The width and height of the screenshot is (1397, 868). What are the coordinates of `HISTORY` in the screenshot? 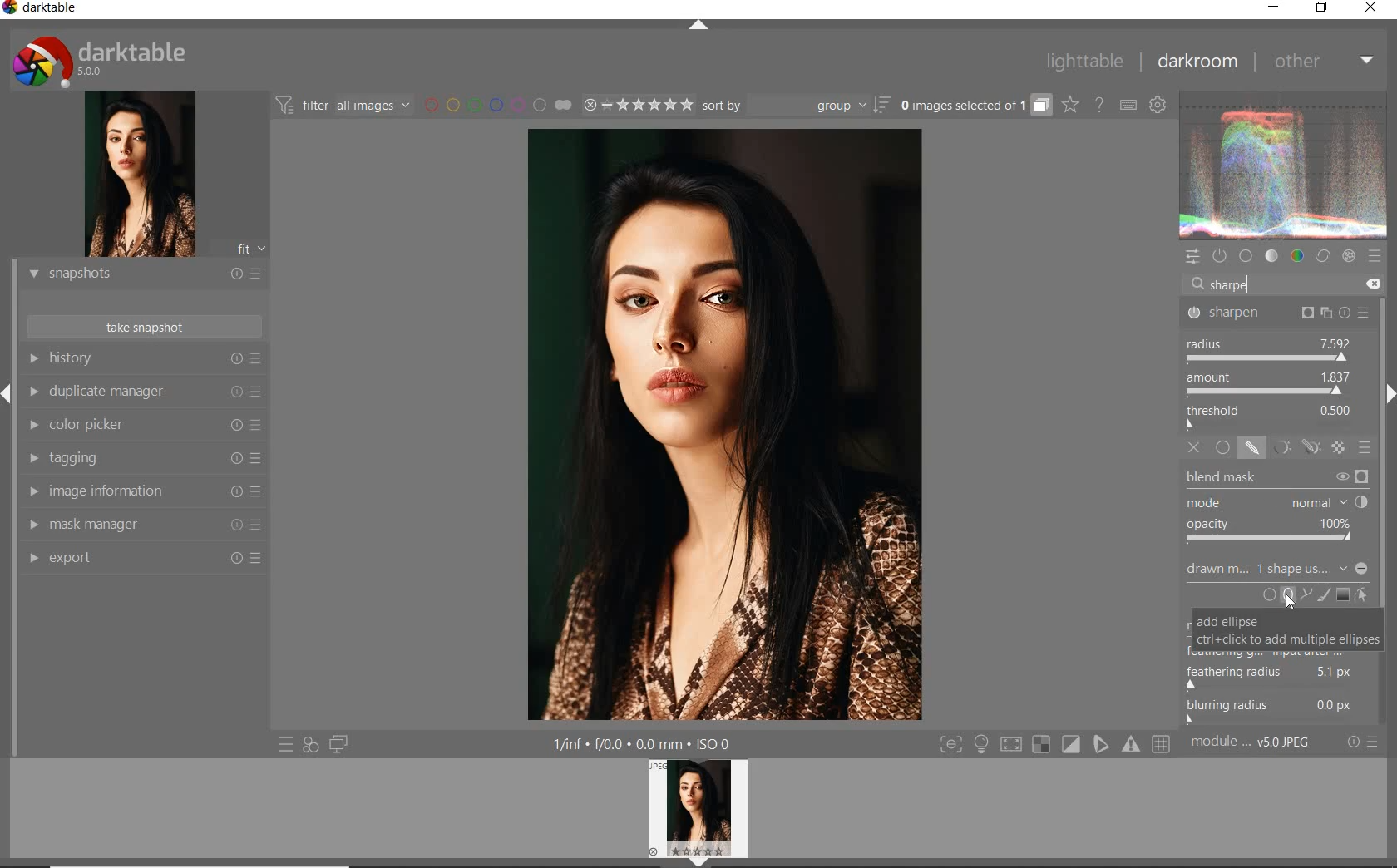 It's located at (144, 360).